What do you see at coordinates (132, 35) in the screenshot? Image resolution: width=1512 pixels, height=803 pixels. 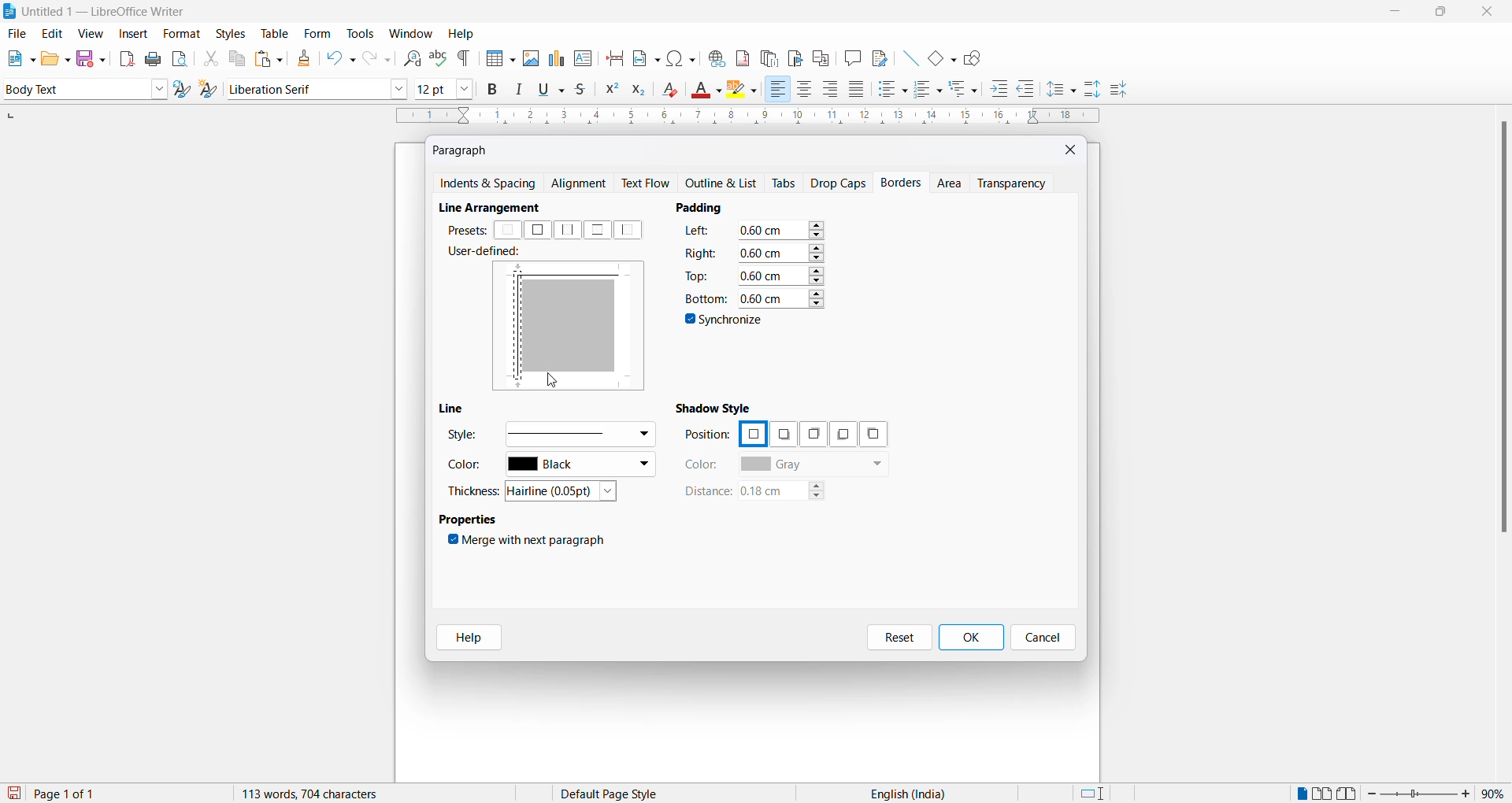 I see `insert` at bounding box center [132, 35].